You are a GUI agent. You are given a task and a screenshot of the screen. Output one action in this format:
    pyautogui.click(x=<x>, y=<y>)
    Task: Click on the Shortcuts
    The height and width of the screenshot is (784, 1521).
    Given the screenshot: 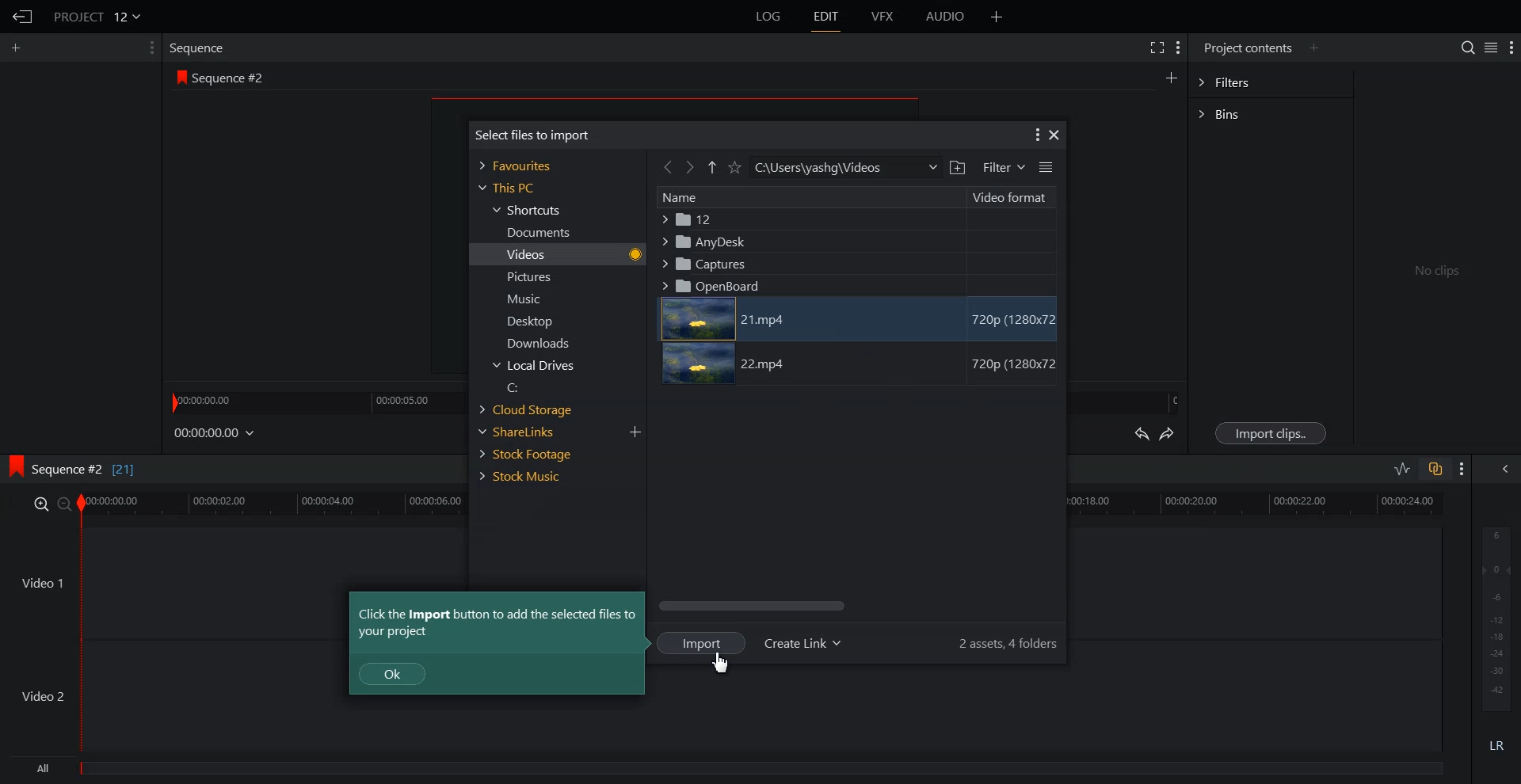 What is the action you would take?
    pyautogui.click(x=529, y=210)
    